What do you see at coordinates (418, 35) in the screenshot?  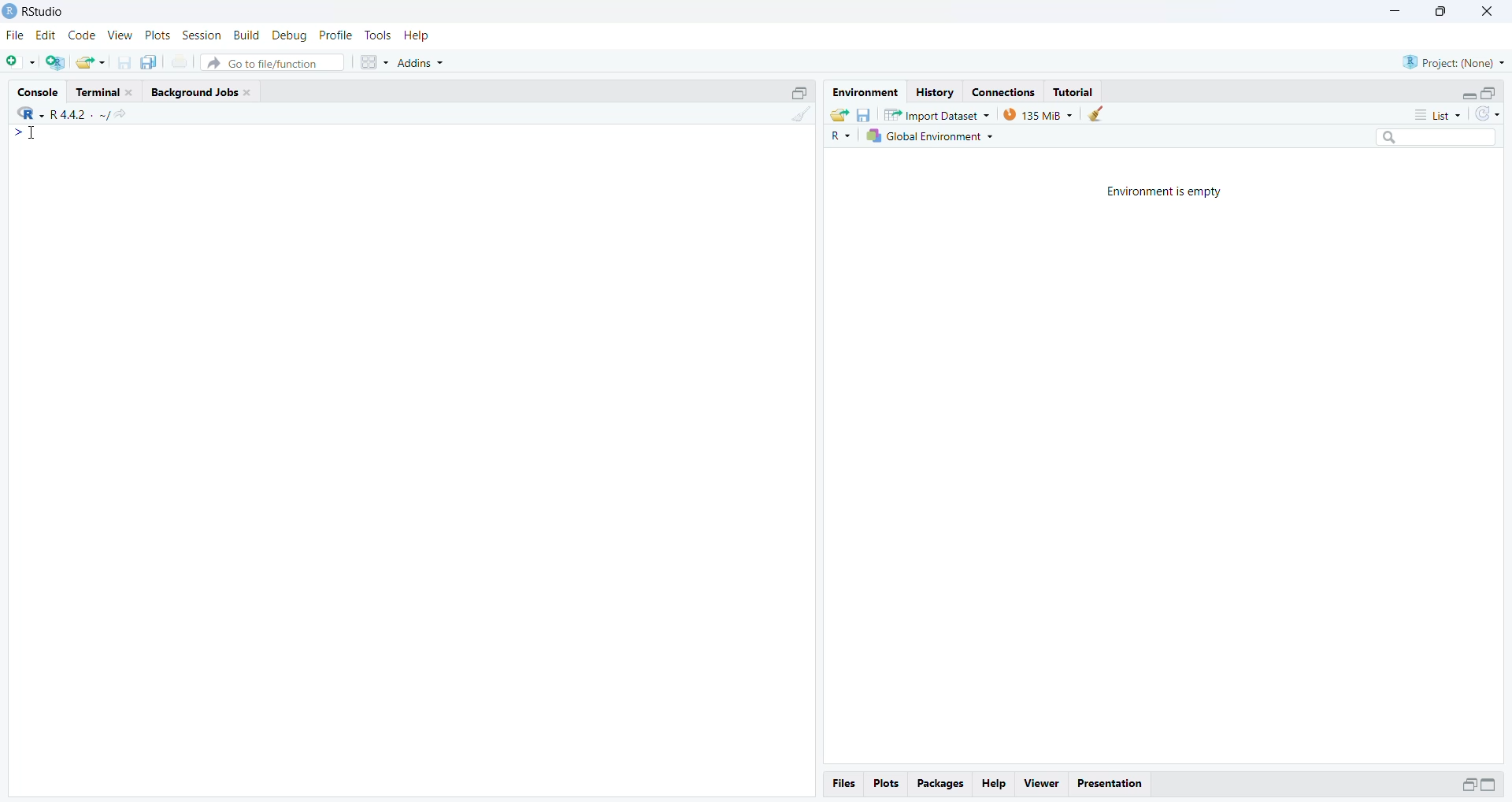 I see `Help` at bounding box center [418, 35].